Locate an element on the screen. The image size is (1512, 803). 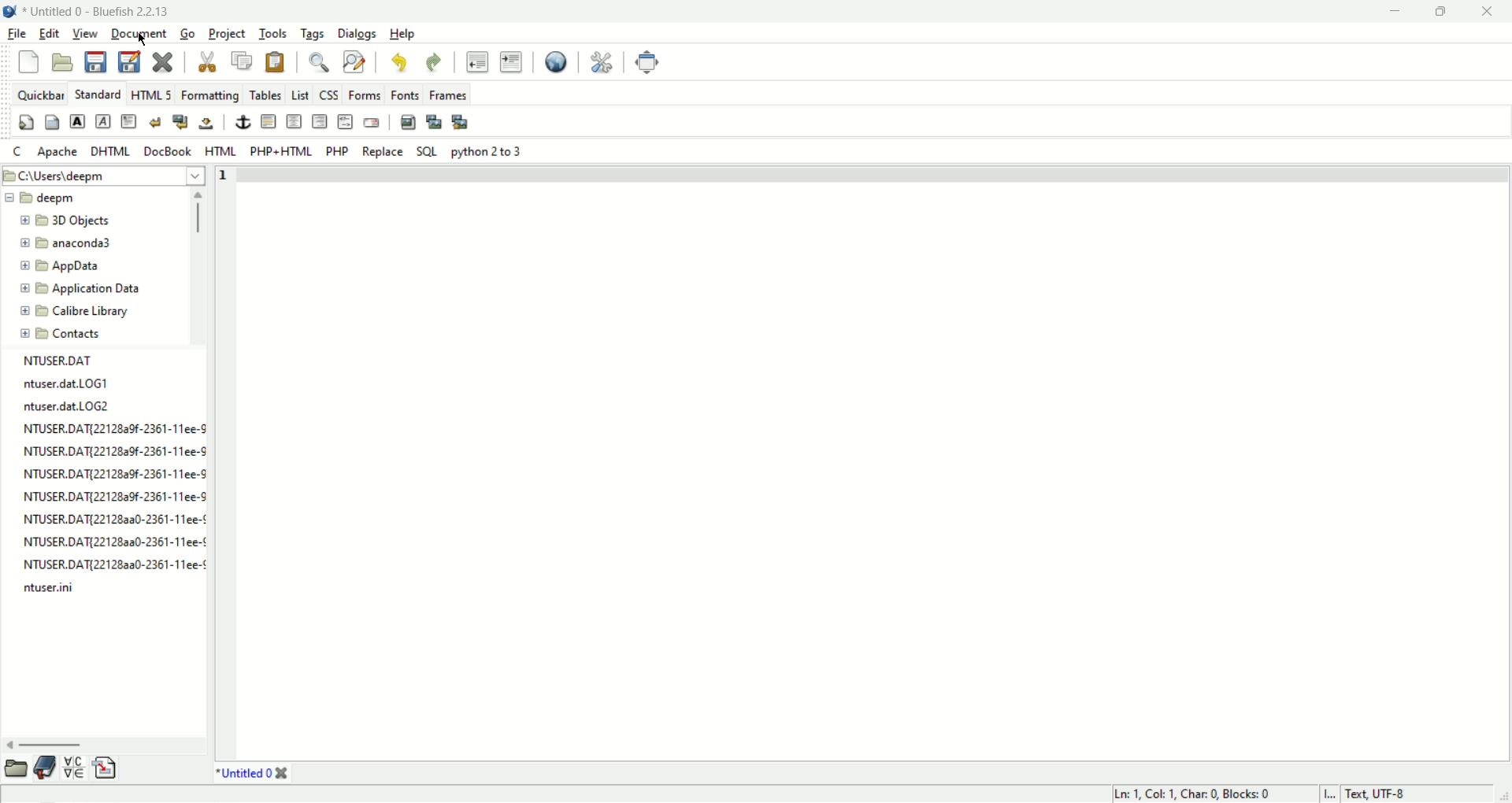
non breaking space is located at coordinates (205, 124).